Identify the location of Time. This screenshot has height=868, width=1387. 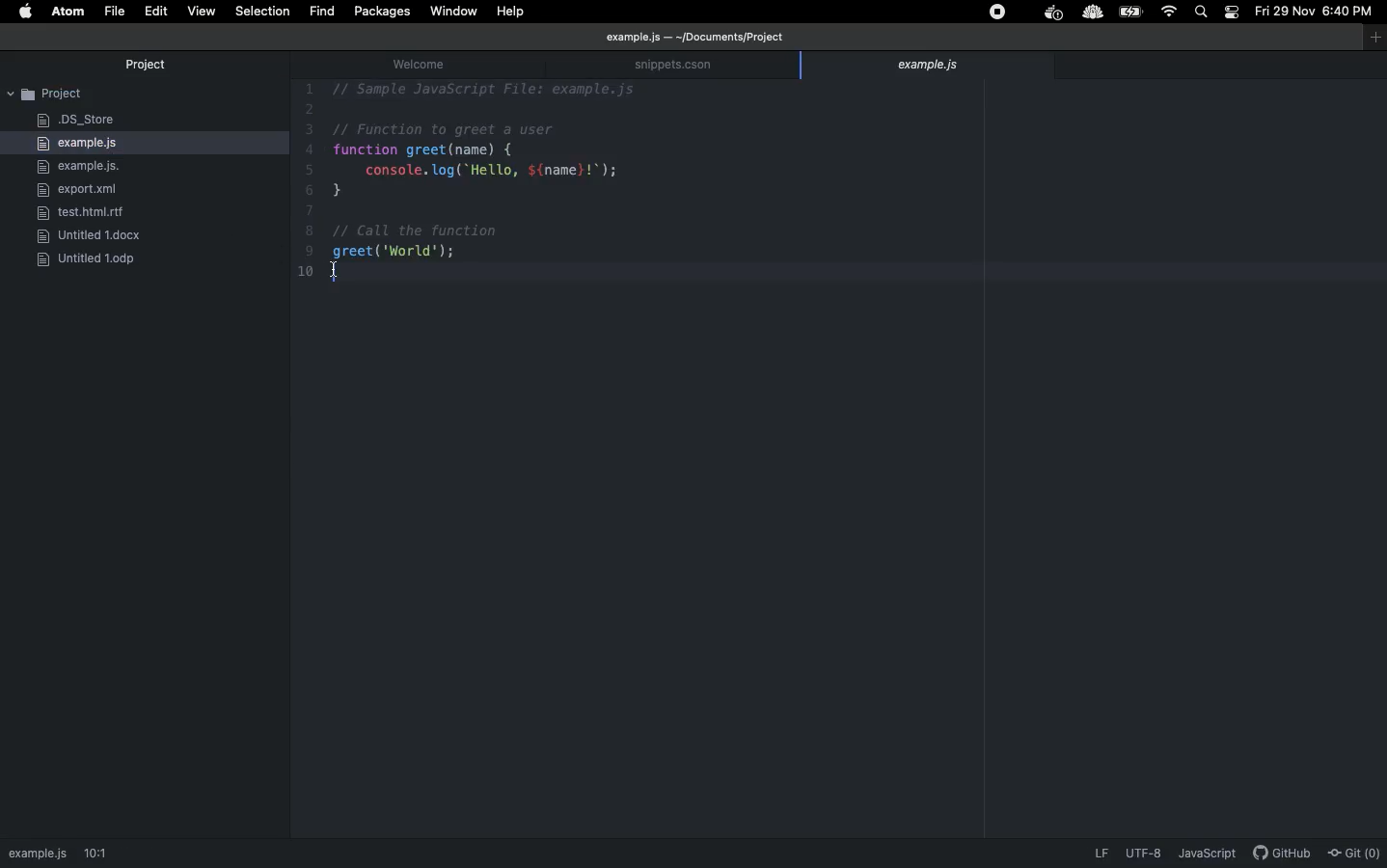
(1352, 14).